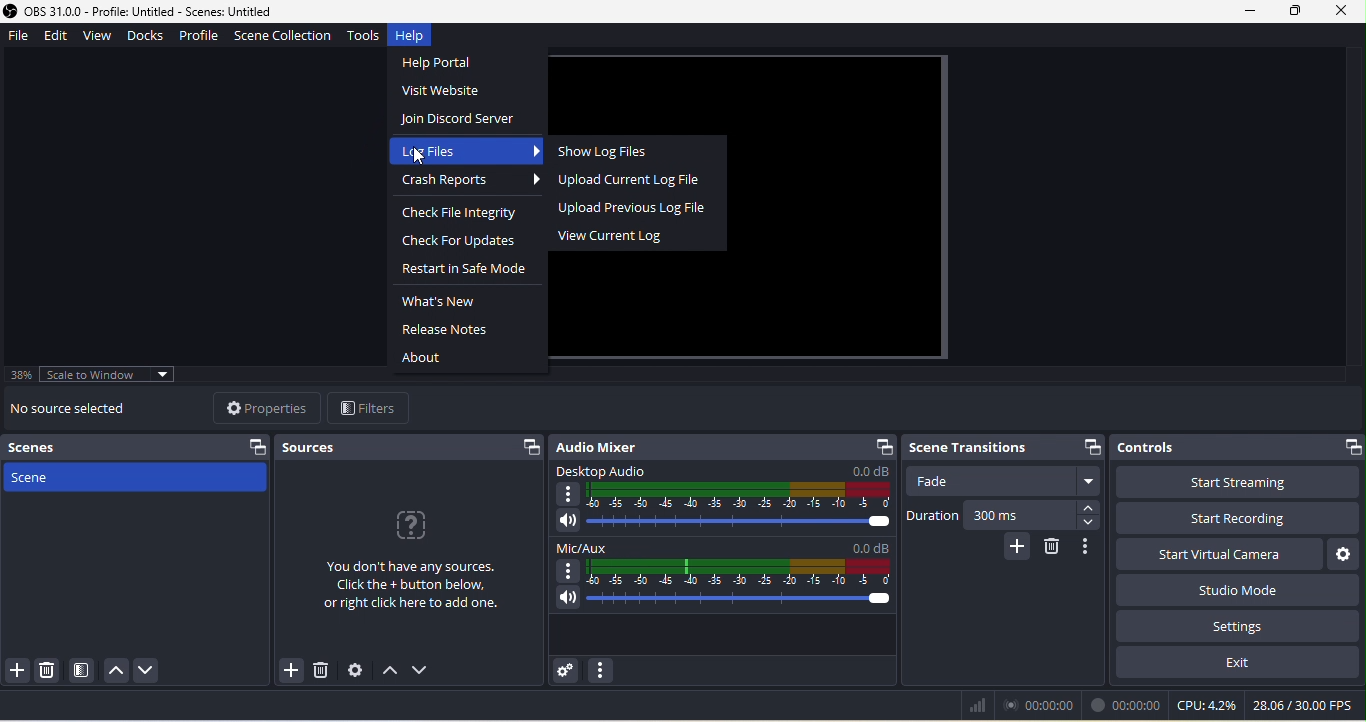 Image resolution: width=1366 pixels, height=722 pixels. Describe the element at coordinates (1209, 706) in the screenshot. I see `cpu 0.1%` at that location.